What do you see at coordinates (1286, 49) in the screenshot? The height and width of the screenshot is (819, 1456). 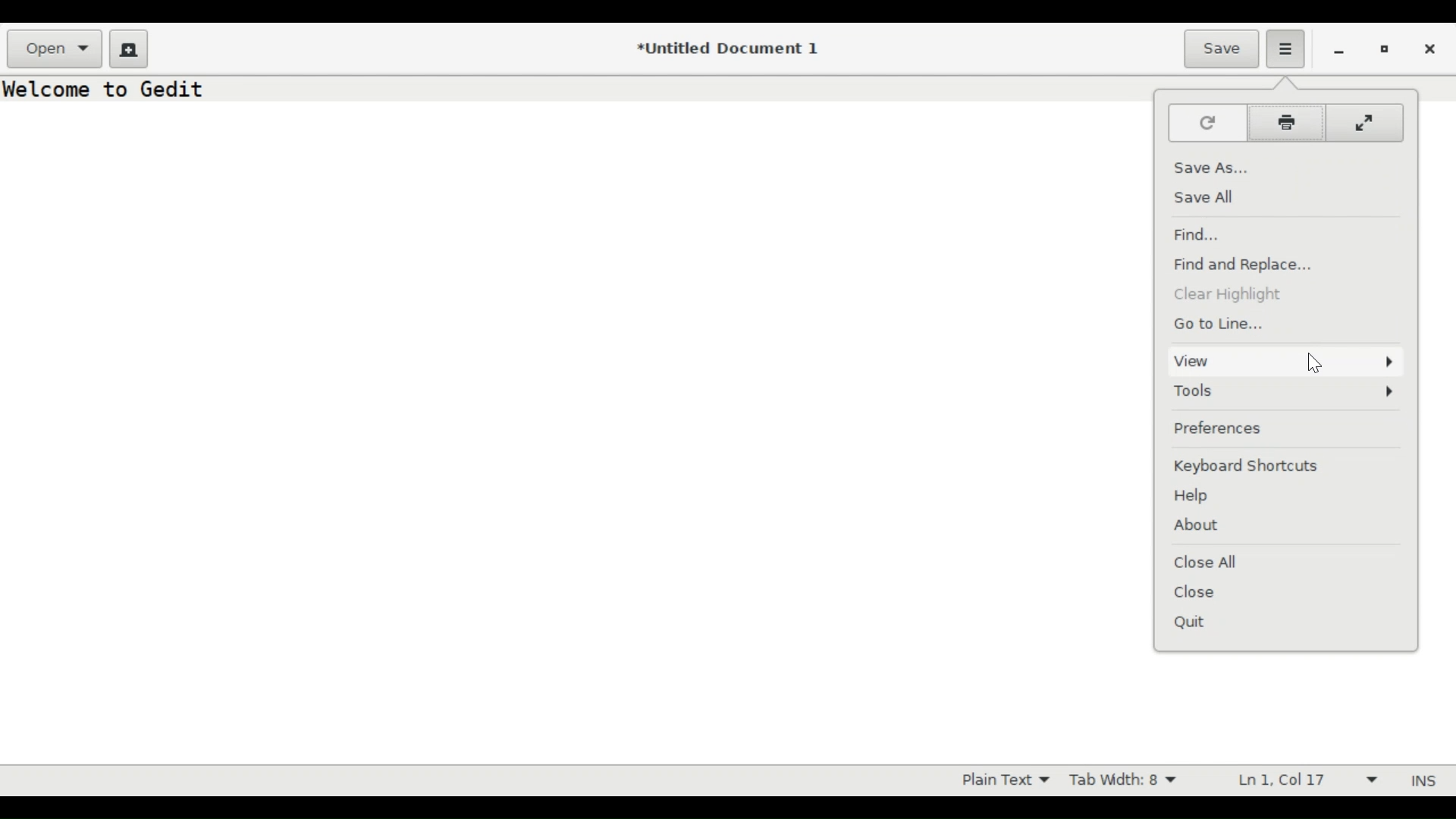 I see `Application menu` at bounding box center [1286, 49].